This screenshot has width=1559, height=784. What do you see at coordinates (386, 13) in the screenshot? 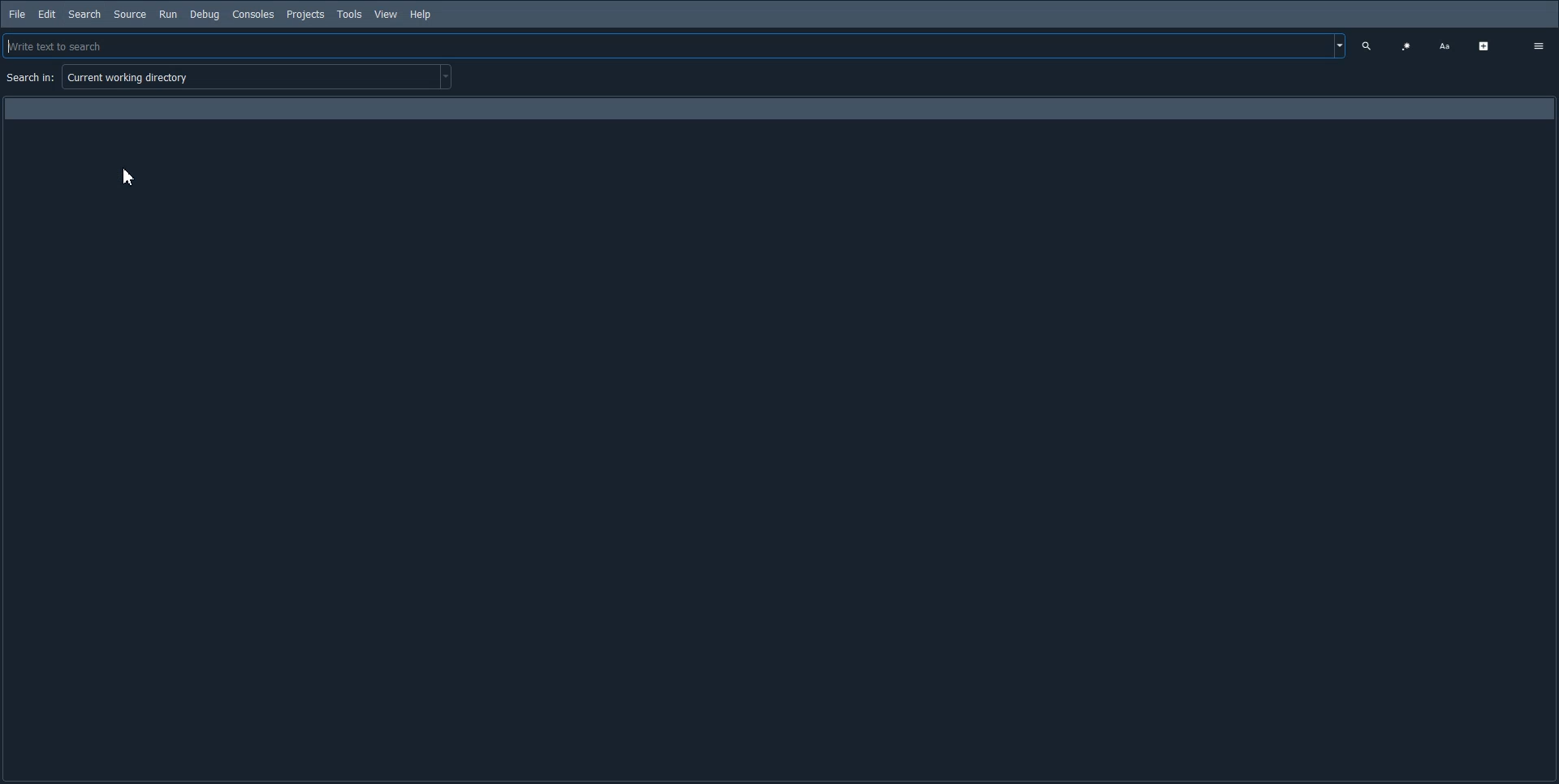
I see `View` at bounding box center [386, 13].